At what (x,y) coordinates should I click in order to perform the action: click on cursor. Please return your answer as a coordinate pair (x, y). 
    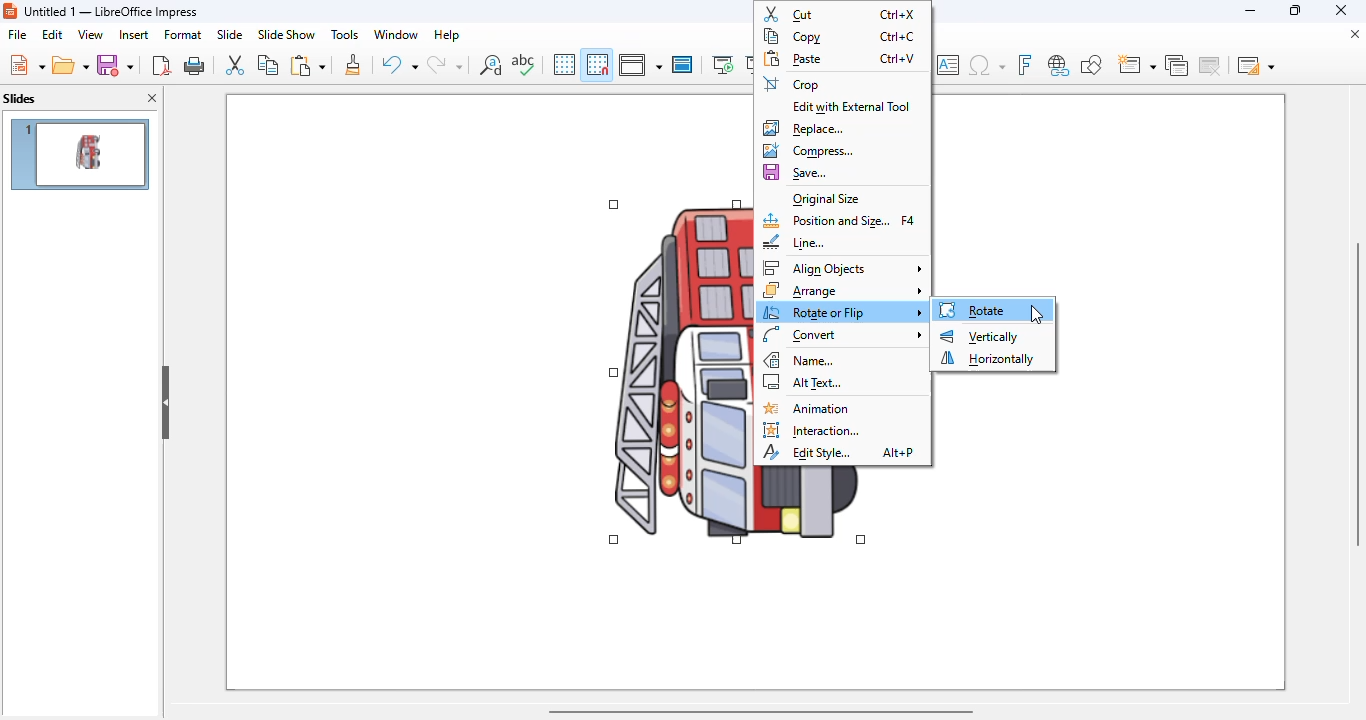
    Looking at the image, I should click on (1038, 314).